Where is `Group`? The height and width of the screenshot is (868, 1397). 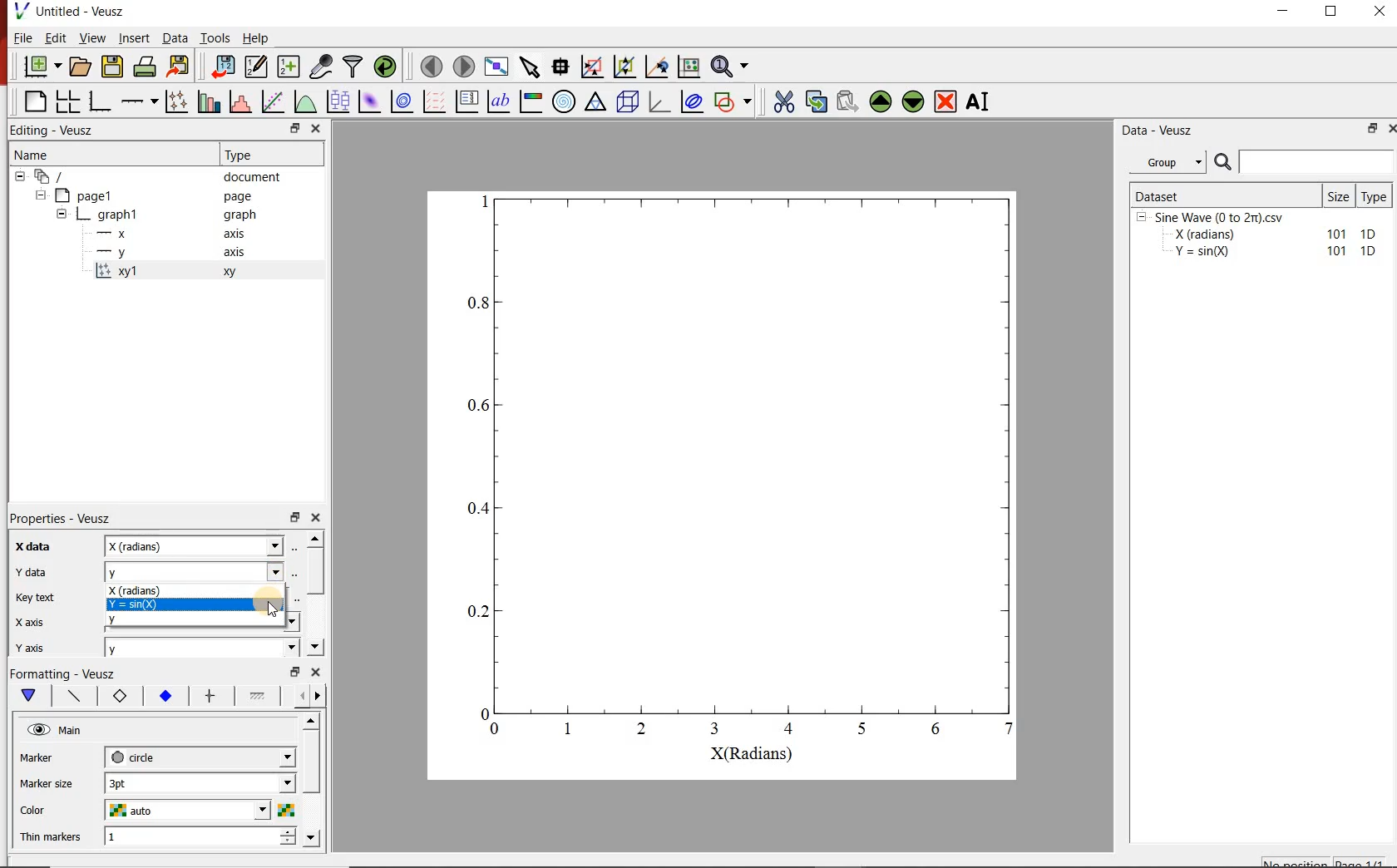 Group is located at coordinates (1172, 162).